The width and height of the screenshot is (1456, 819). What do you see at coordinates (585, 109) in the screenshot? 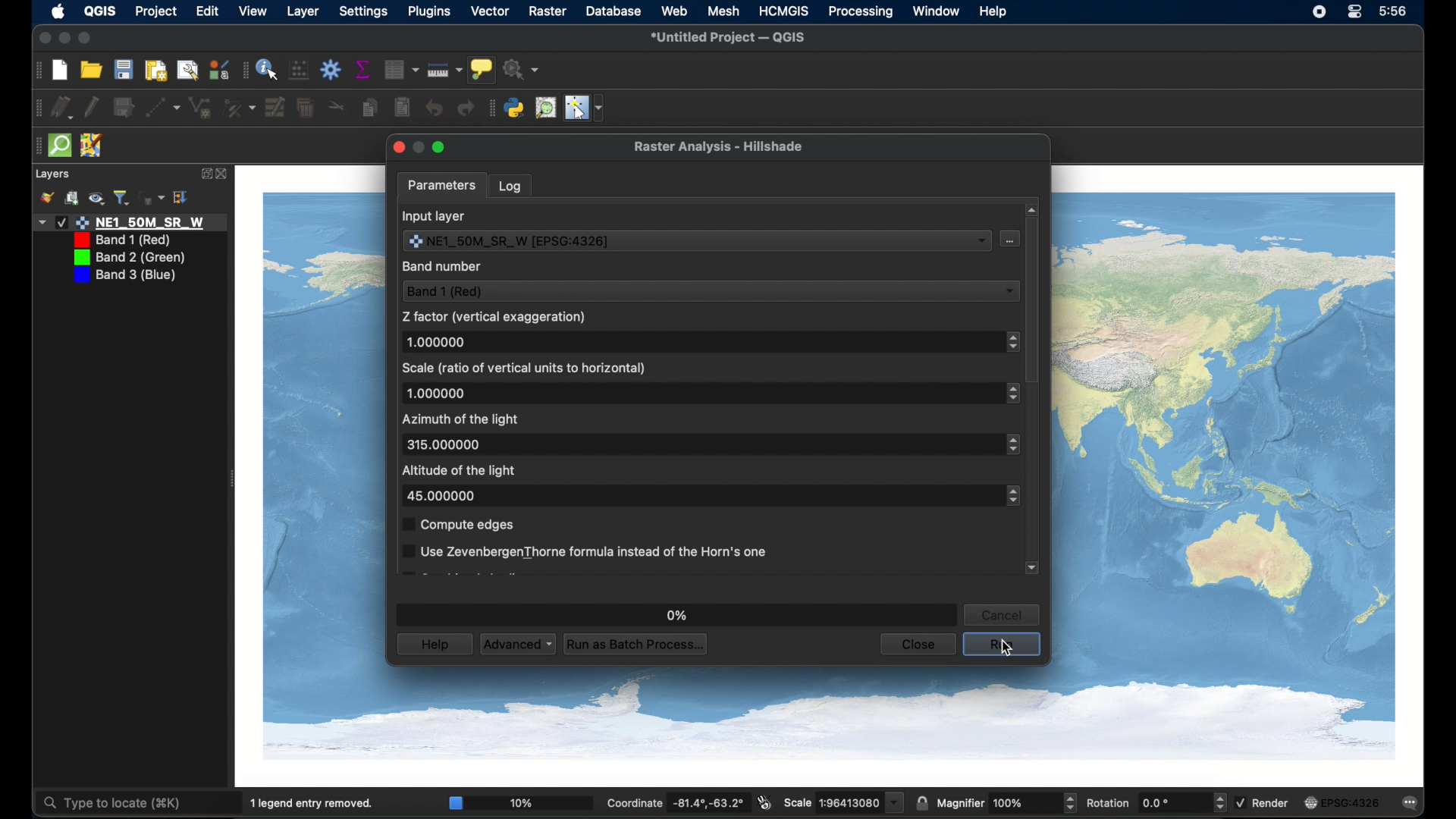
I see `switches mouse to configurable pointer` at bounding box center [585, 109].